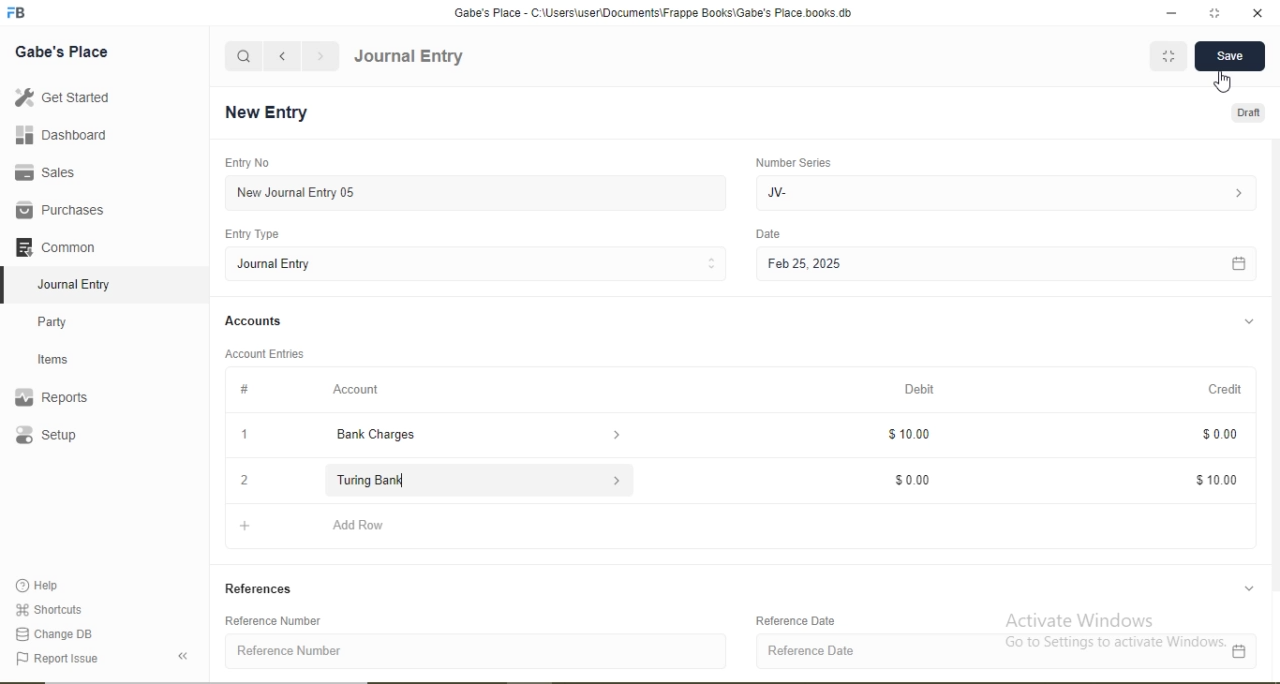  I want to click on Draft, so click(1250, 114).